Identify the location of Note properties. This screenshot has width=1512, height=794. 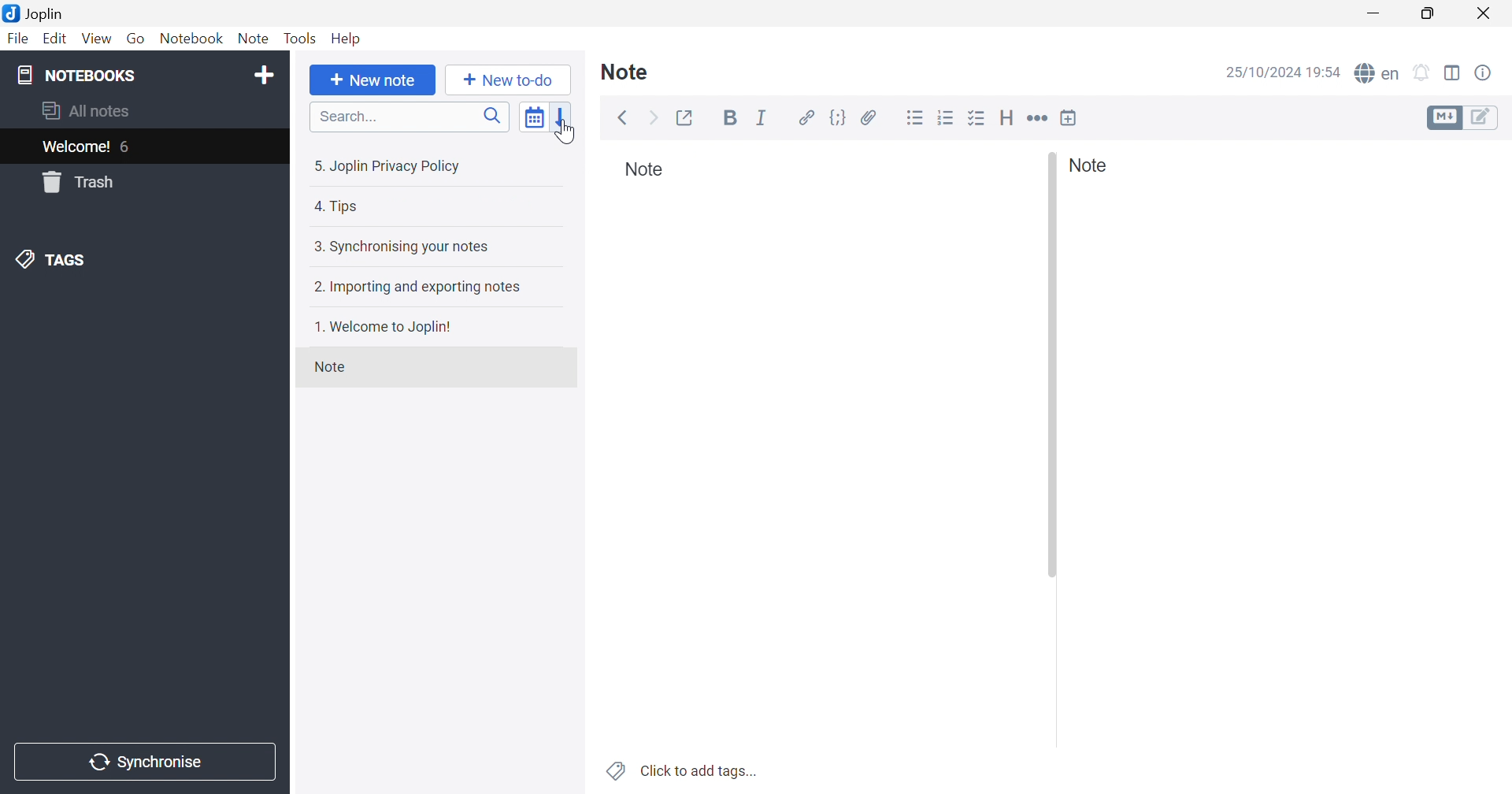
(1484, 72).